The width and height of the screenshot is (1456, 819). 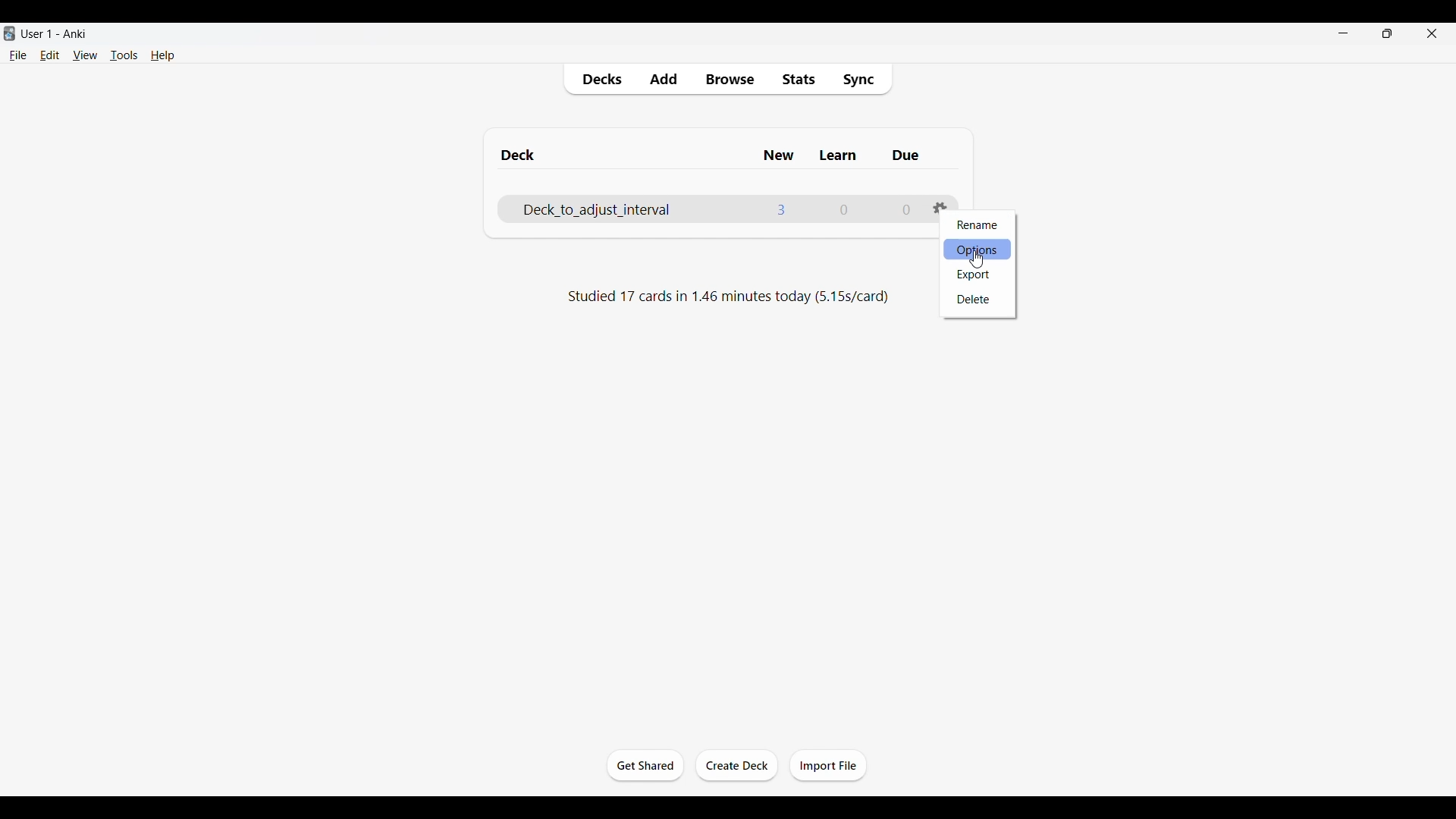 I want to click on Deck name, so click(x=633, y=210).